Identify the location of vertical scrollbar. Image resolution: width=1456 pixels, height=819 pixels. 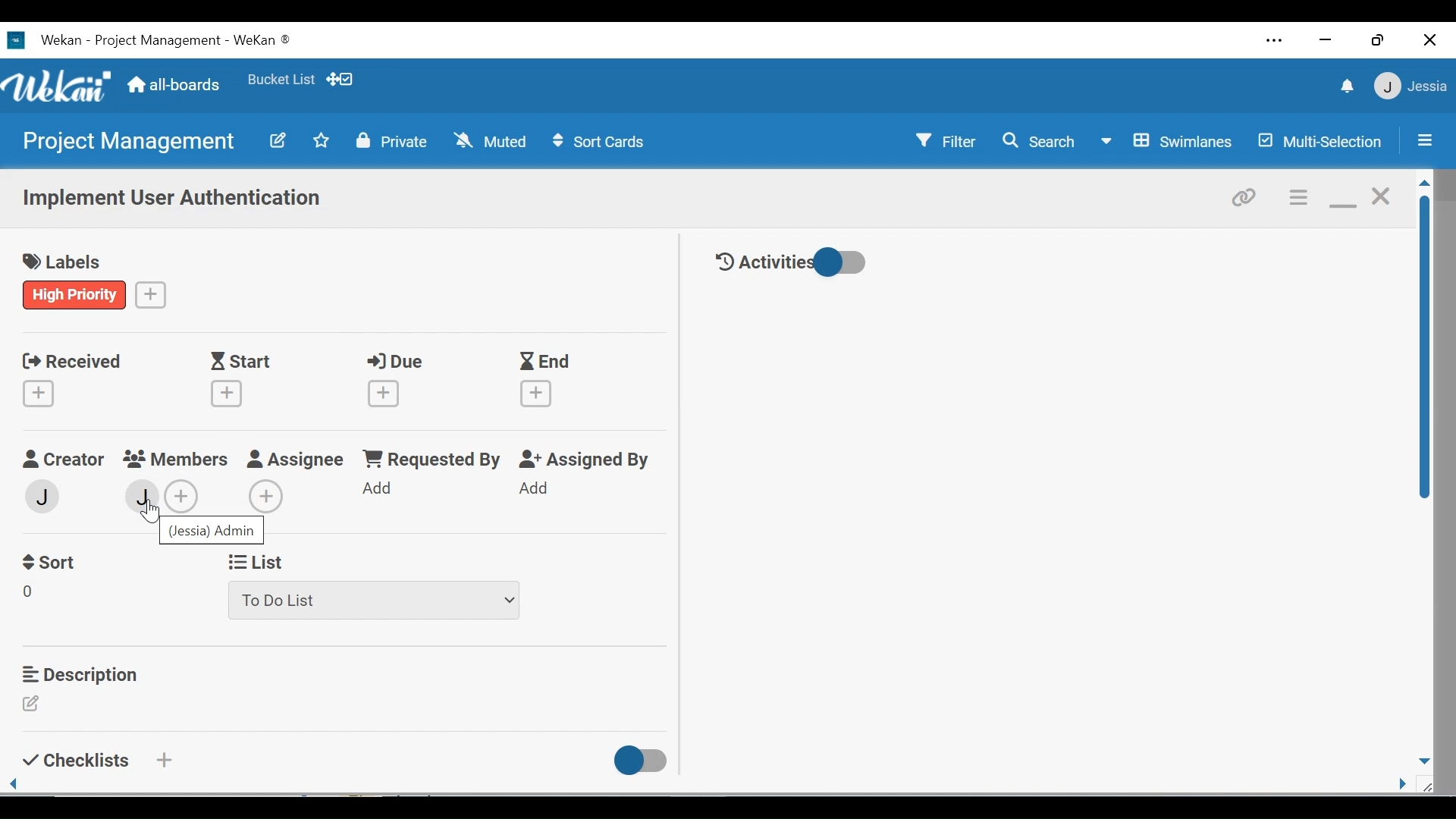
(1425, 347).